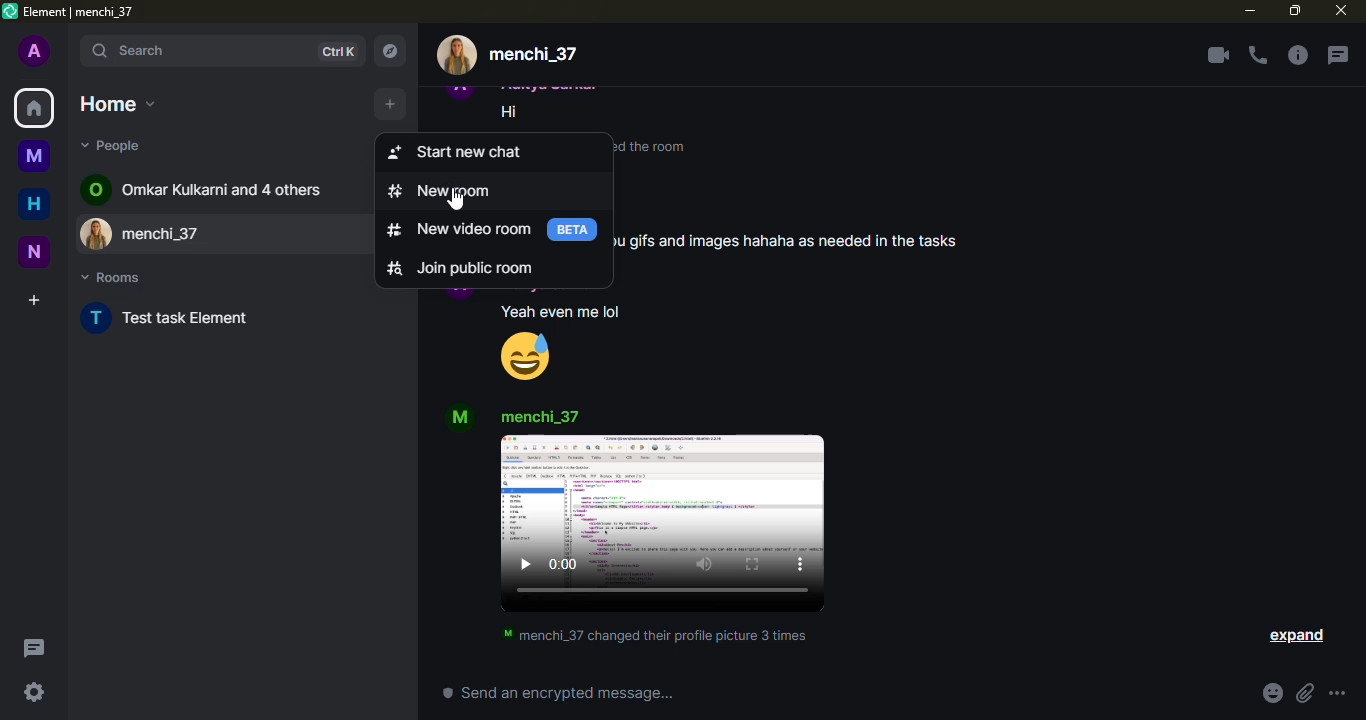 The image size is (1366, 720). I want to click on Emoji, so click(525, 356).